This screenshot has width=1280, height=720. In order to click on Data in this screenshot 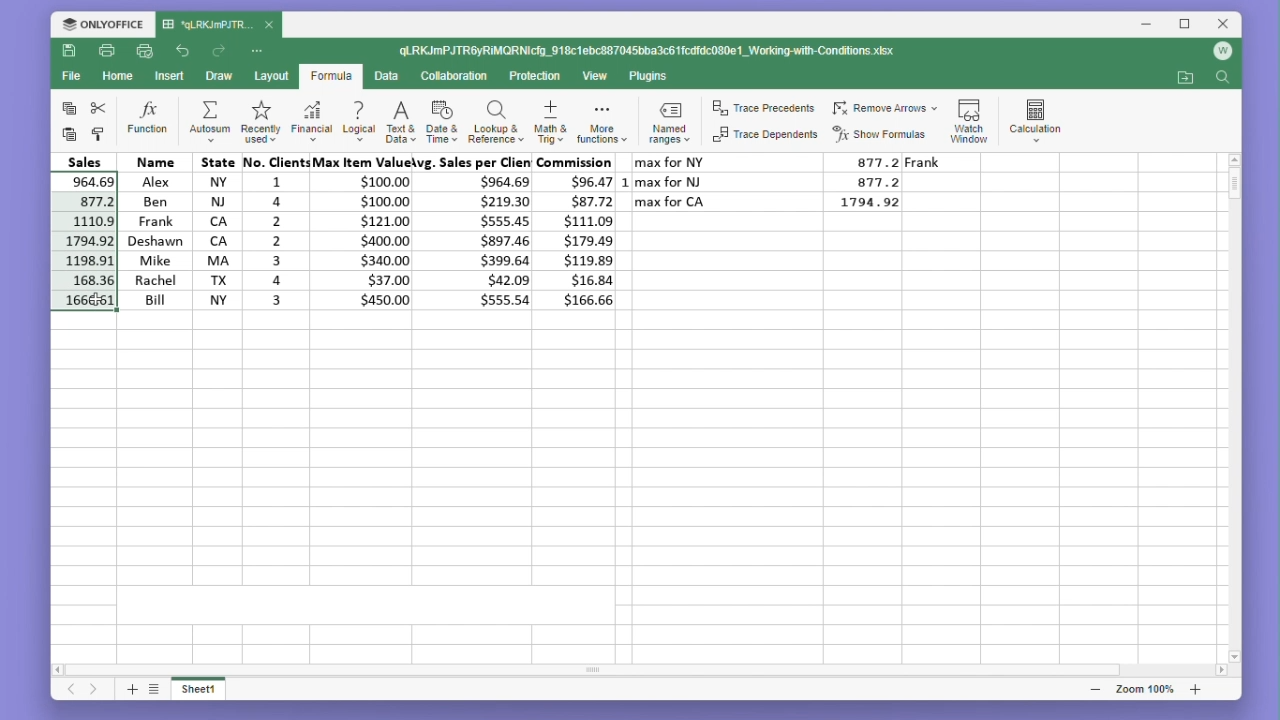, I will do `click(385, 76)`.